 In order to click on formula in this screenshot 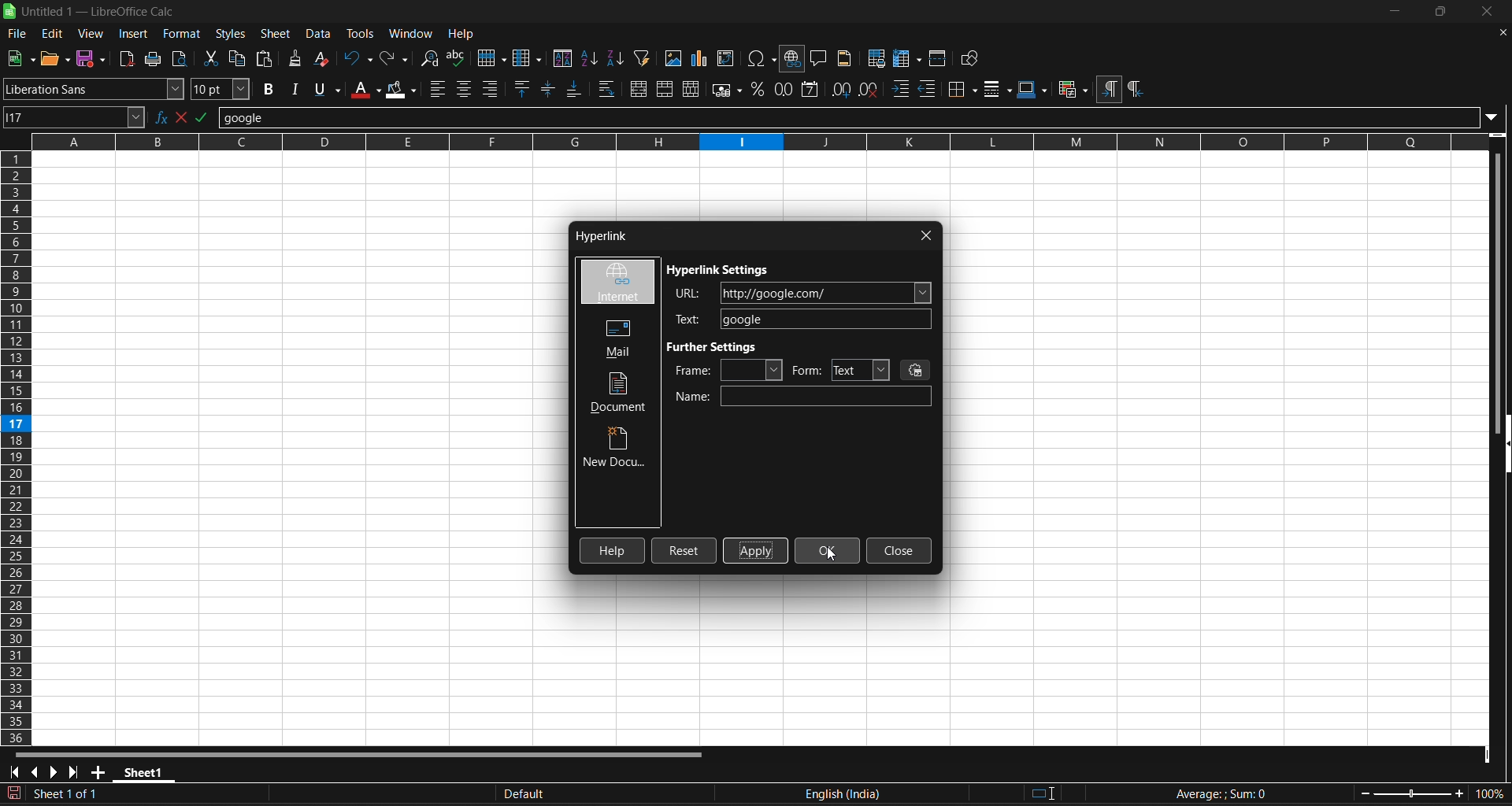, I will do `click(1220, 793)`.